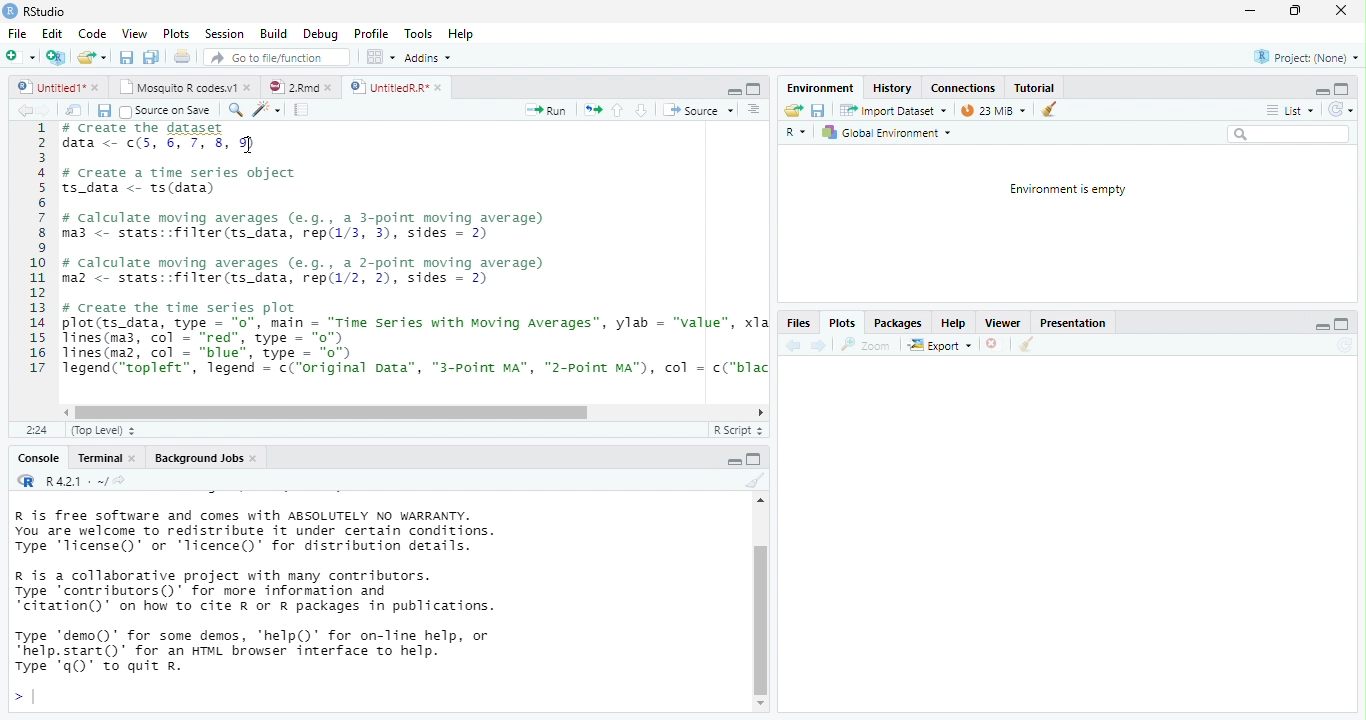 This screenshot has width=1366, height=720. I want to click on maximize, so click(1342, 88).